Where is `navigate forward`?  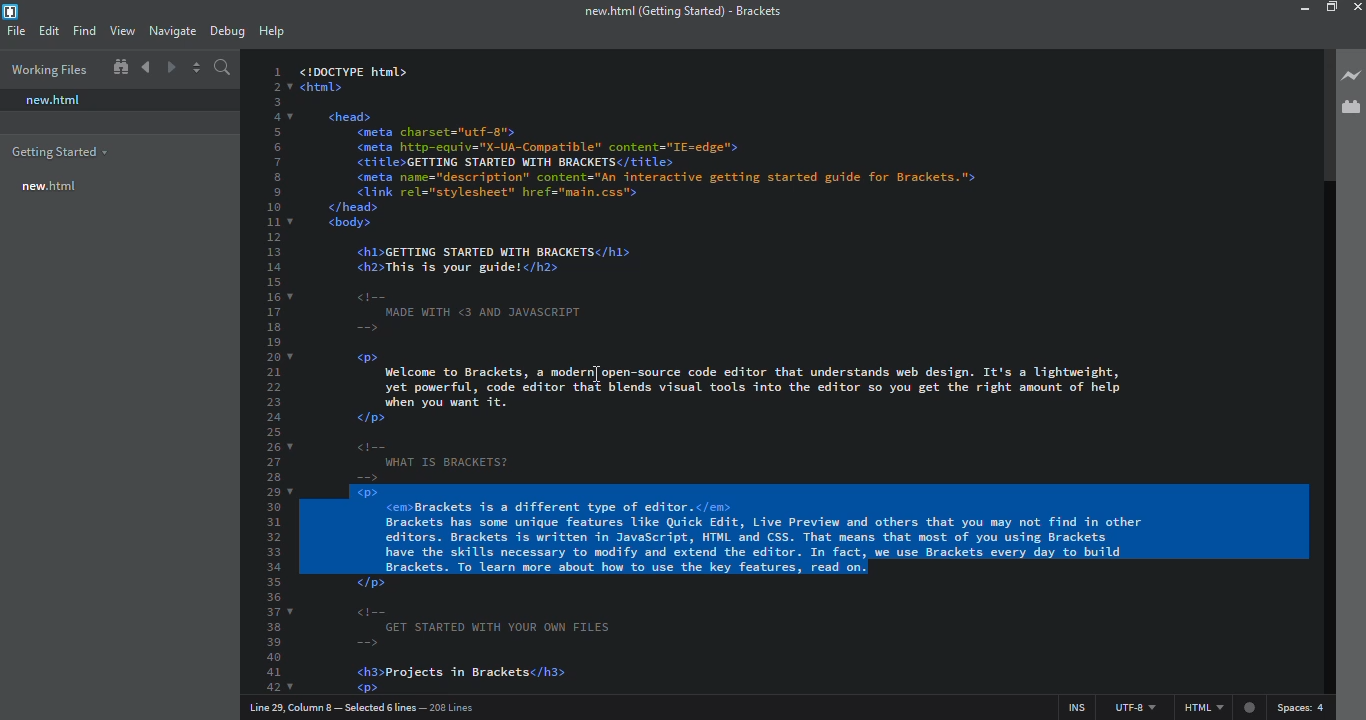
navigate forward is located at coordinates (173, 67).